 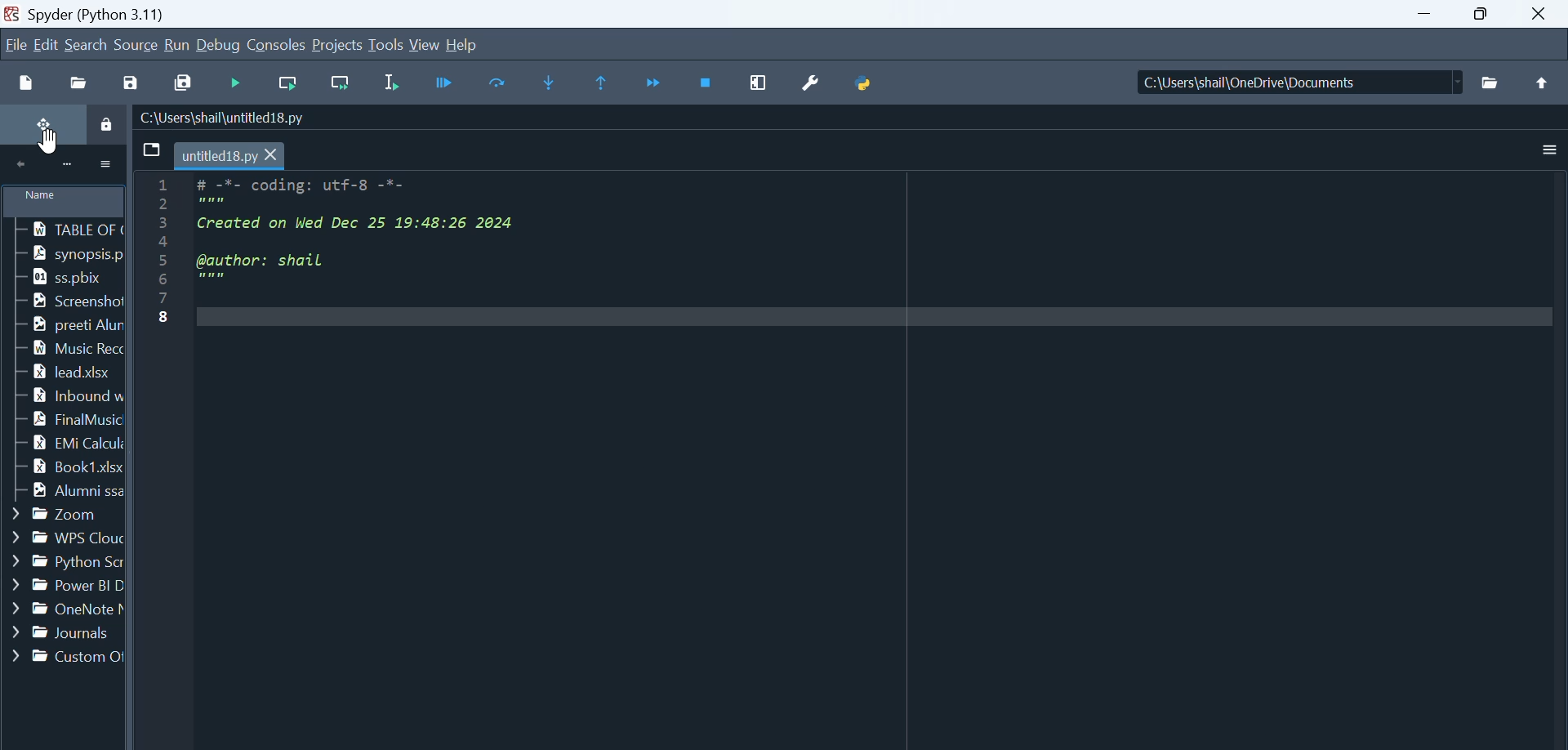 What do you see at coordinates (425, 44) in the screenshot?
I see `View` at bounding box center [425, 44].